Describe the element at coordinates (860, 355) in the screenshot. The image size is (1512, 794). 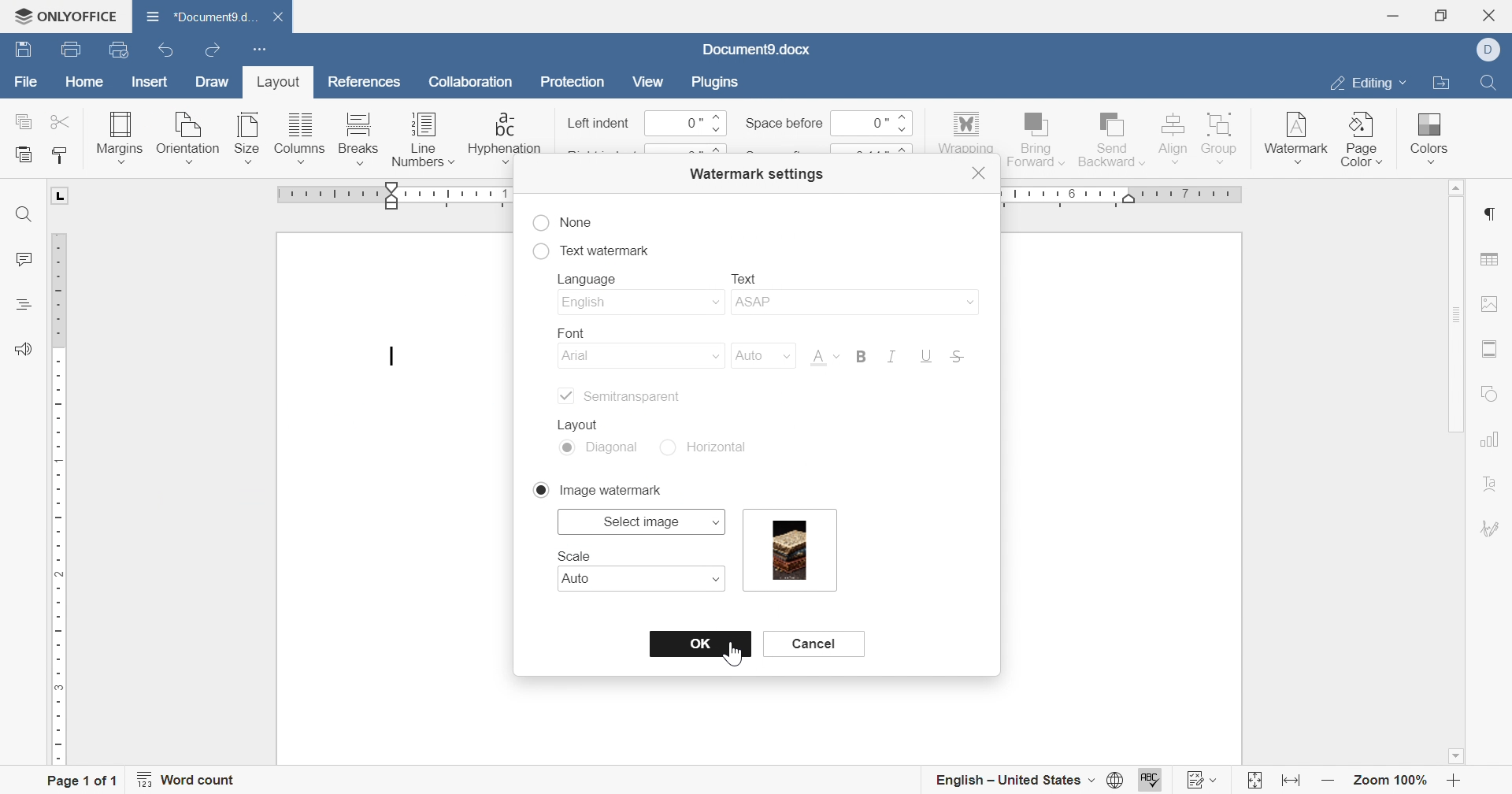
I see `bold` at that location.